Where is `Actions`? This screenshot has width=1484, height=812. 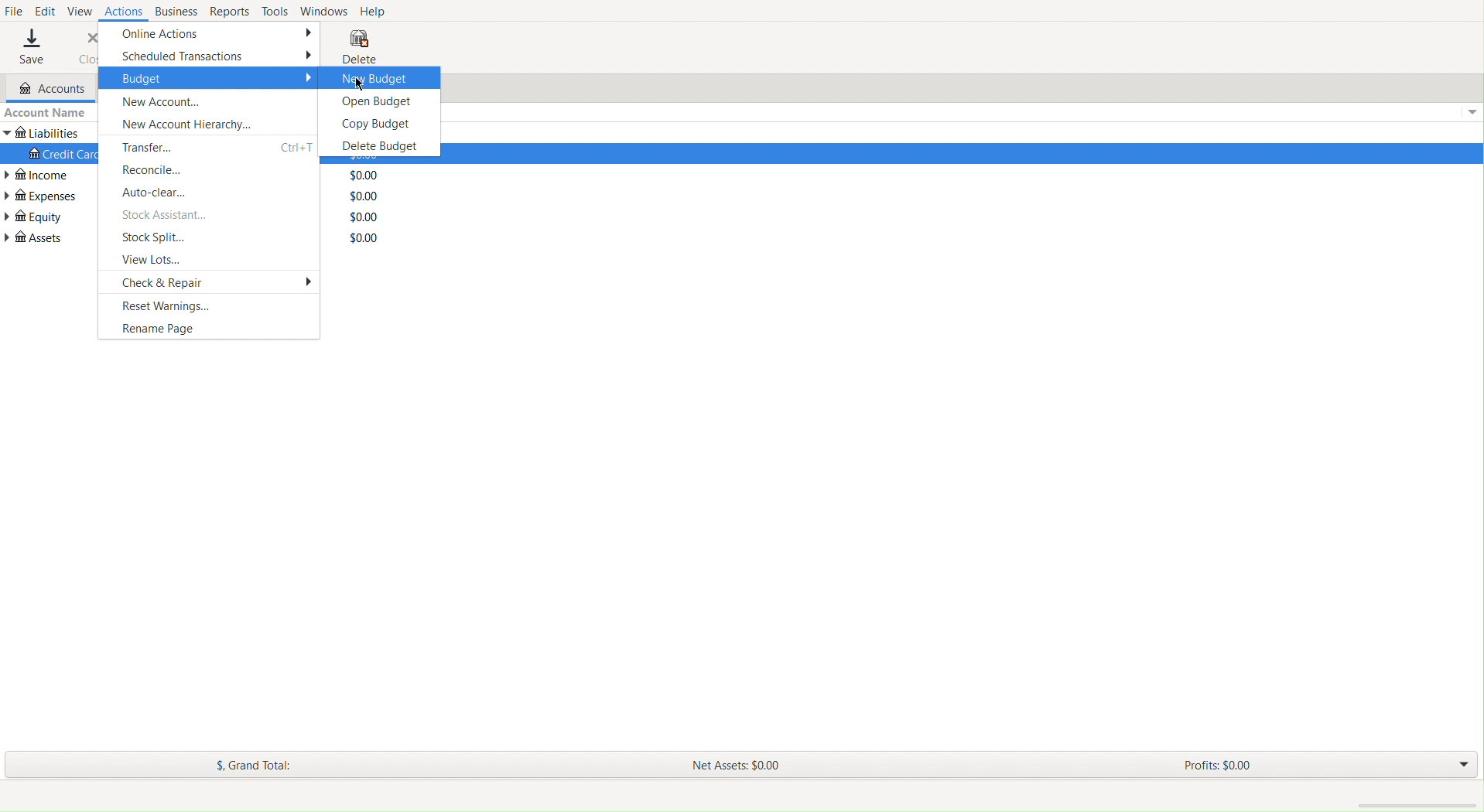 Actions is located at coordinates (122, 12).